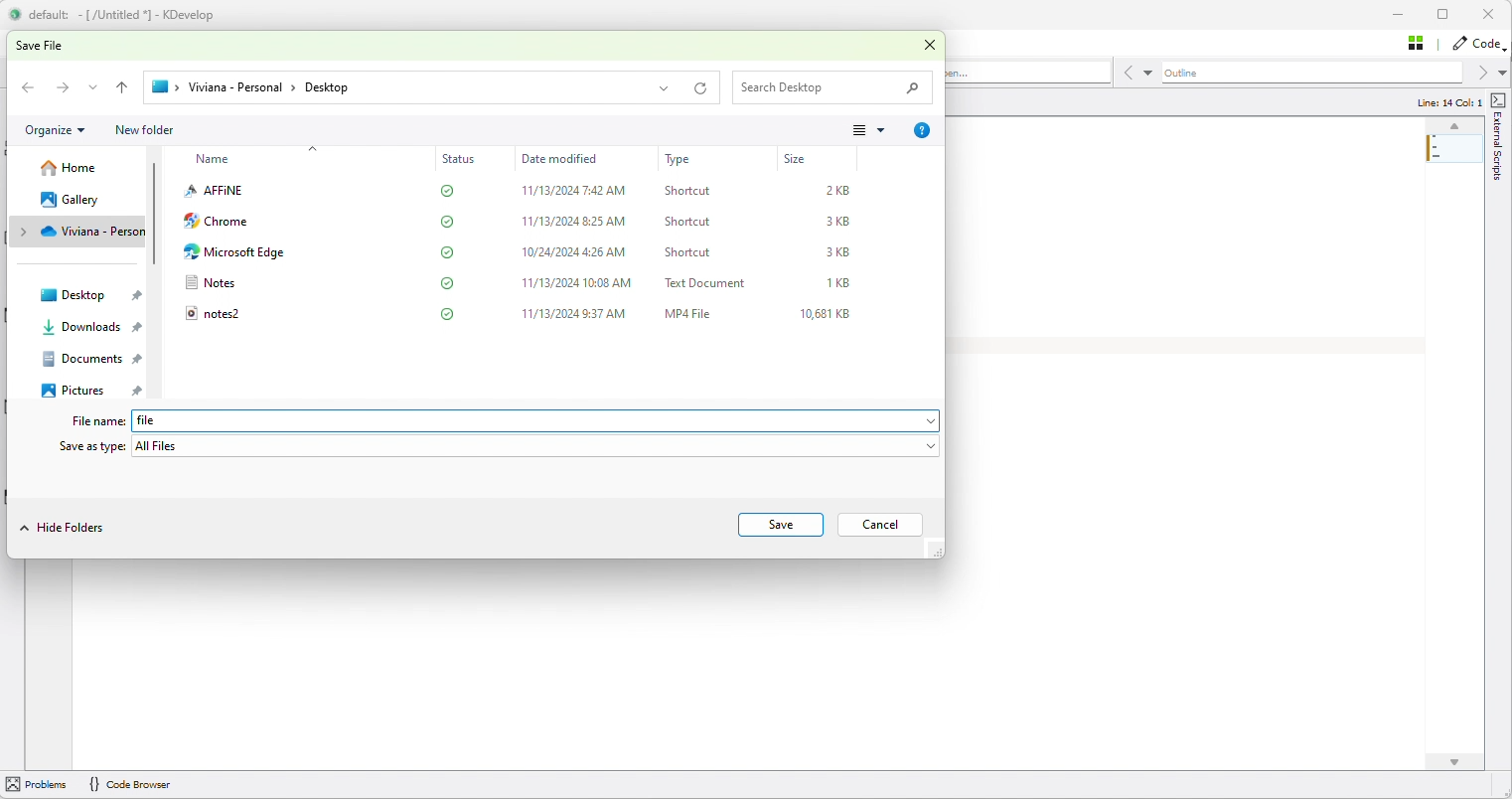  What do you see at coordinates (44, 45) in the screenshot?
I see `save file` at bounding box center [44, 45].